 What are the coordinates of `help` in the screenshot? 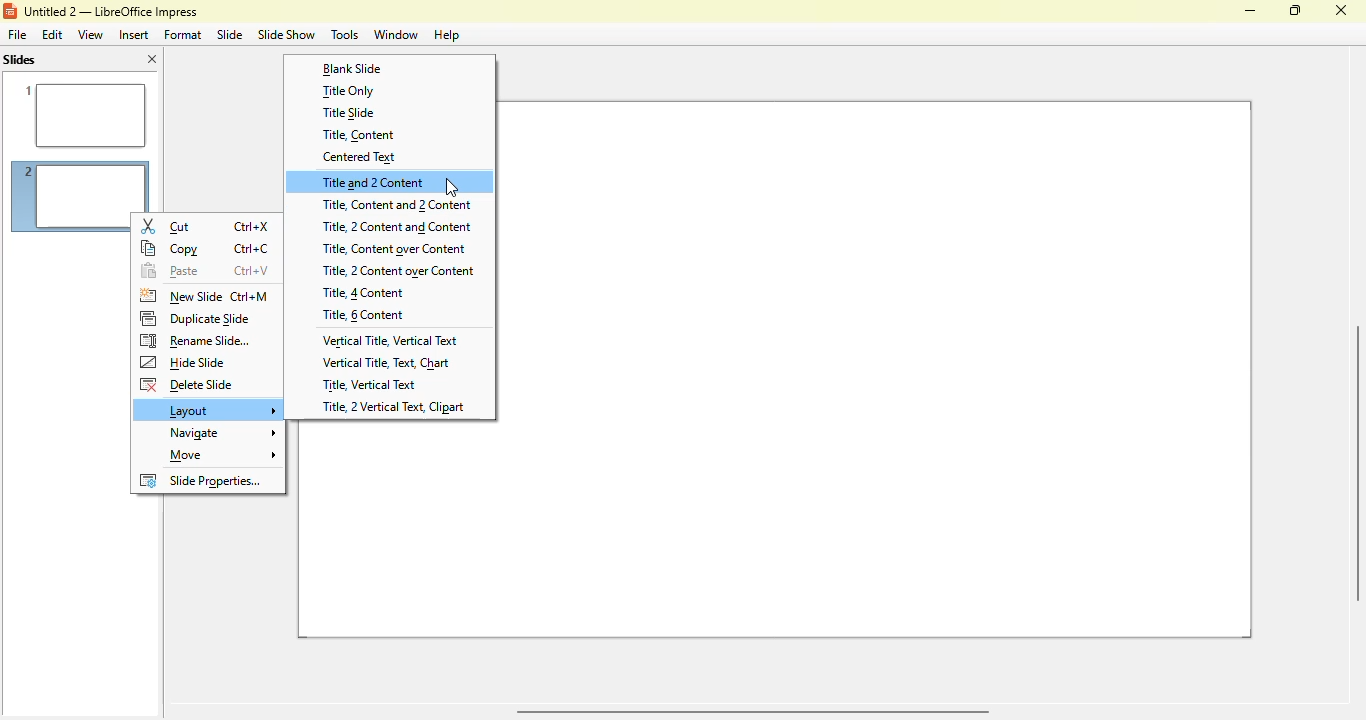 It's located at (447, 35).